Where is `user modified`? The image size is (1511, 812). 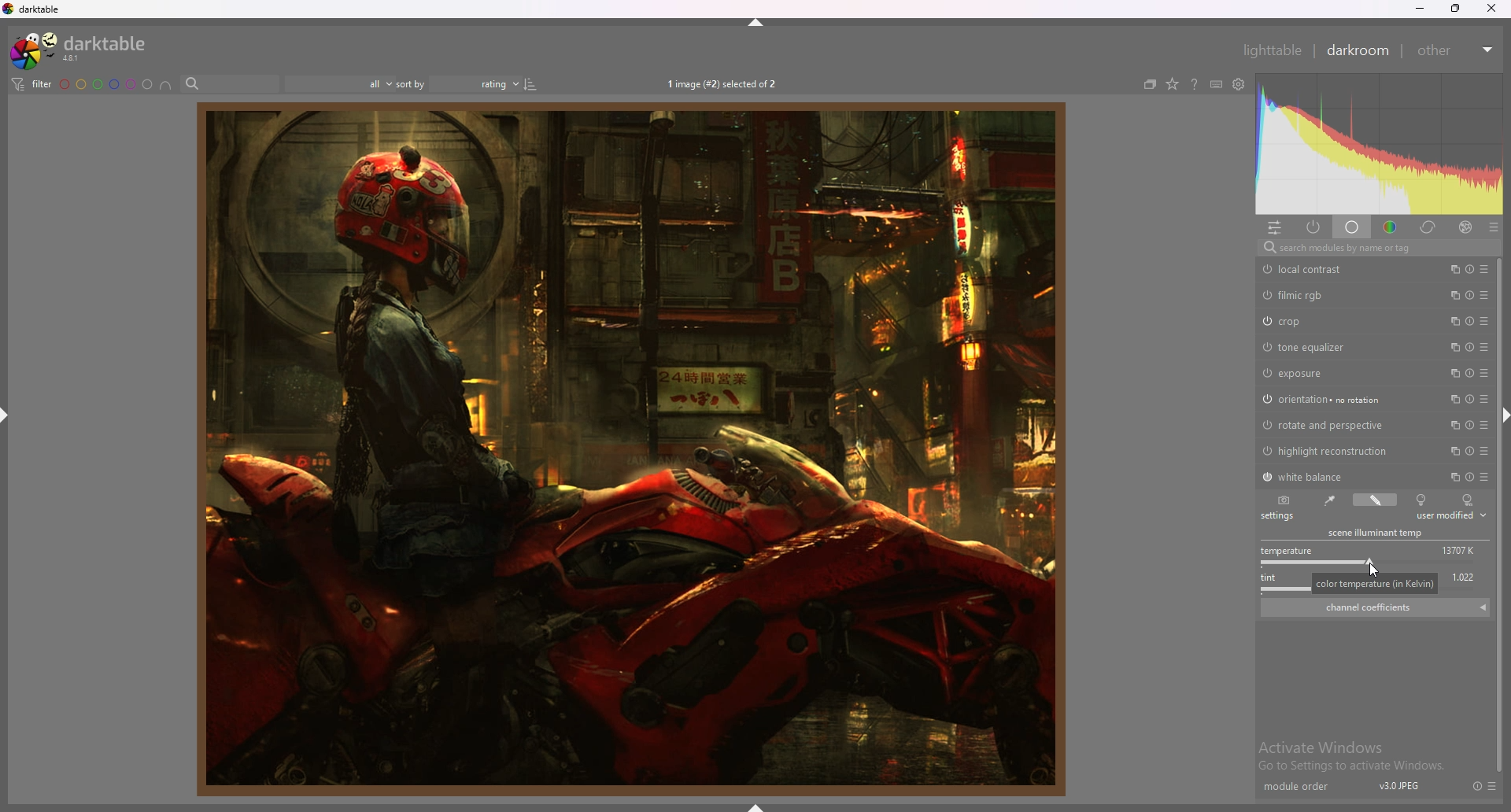 user modified is located at coordinates (1451, 516).